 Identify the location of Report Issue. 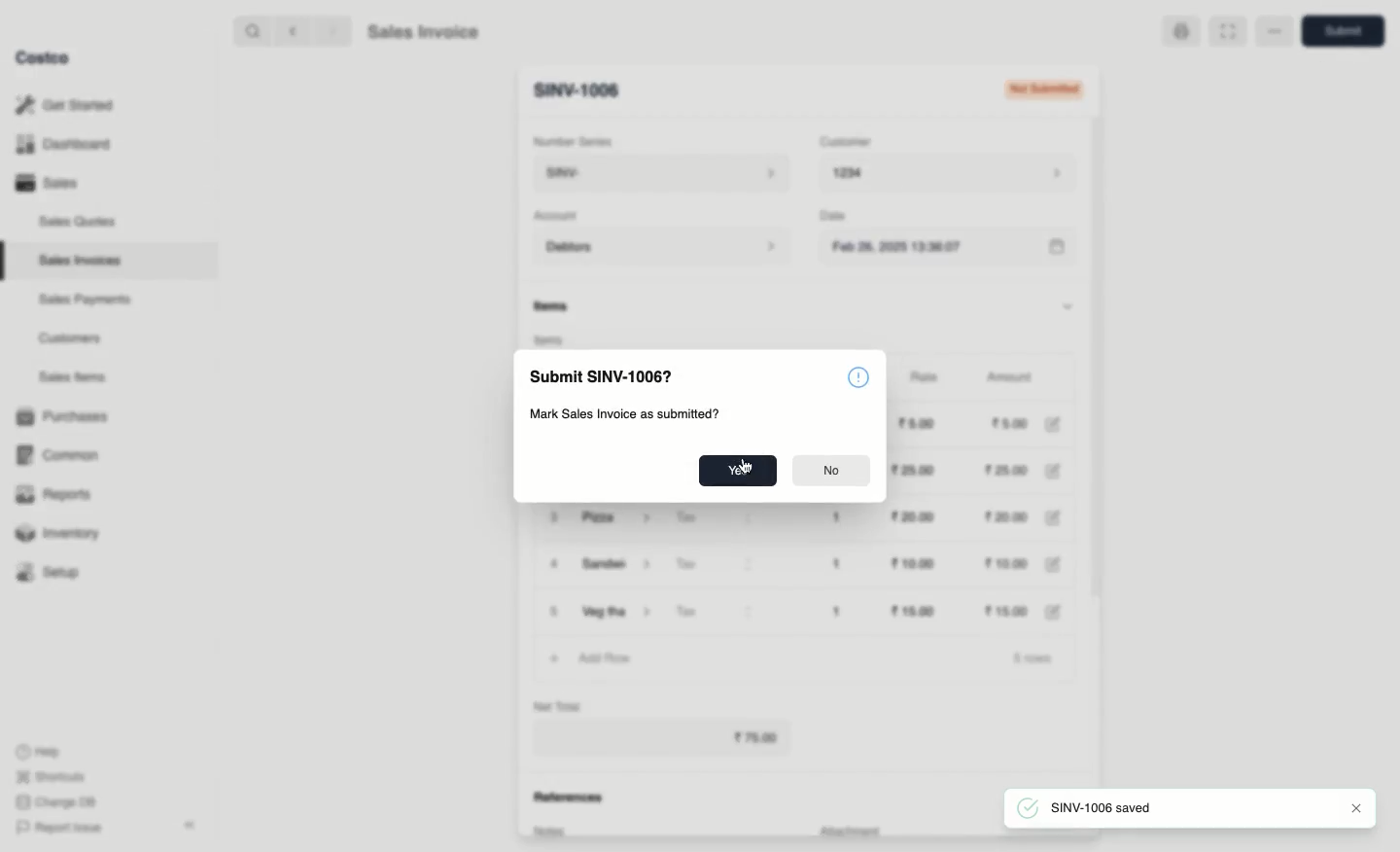
(55, 828).